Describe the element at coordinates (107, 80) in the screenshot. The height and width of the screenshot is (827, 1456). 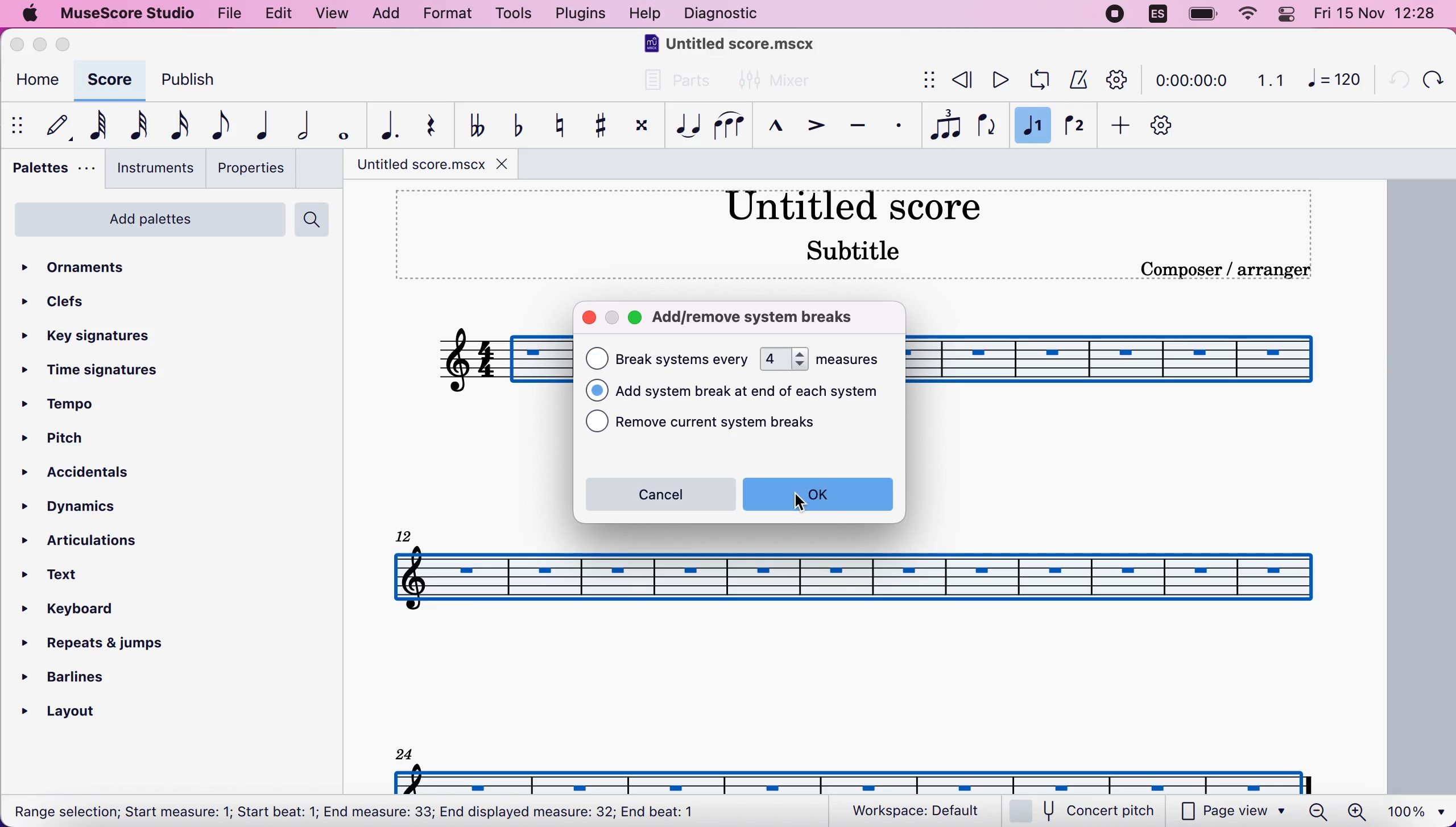
I see `score` at that location.